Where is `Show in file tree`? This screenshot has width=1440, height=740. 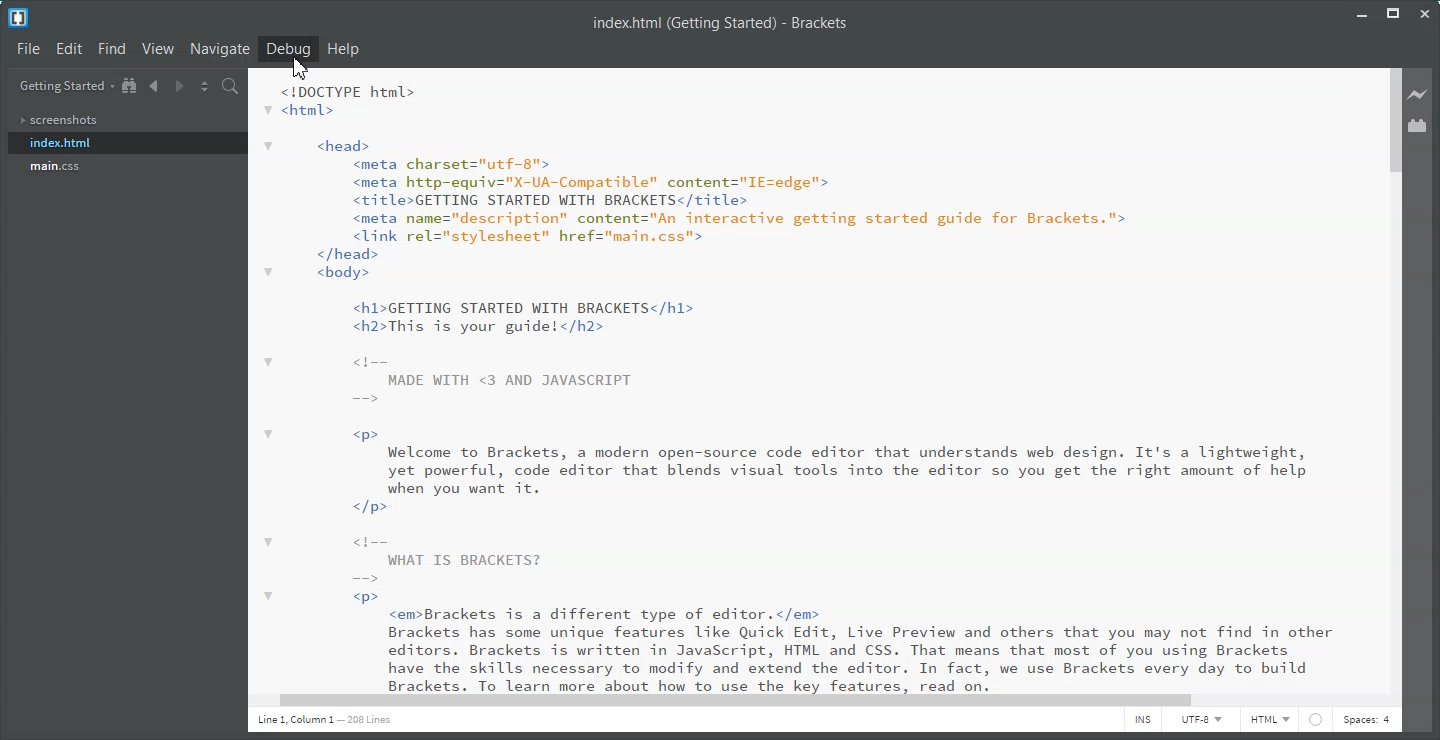 Show in file tree is located at coordinates (131, 86).